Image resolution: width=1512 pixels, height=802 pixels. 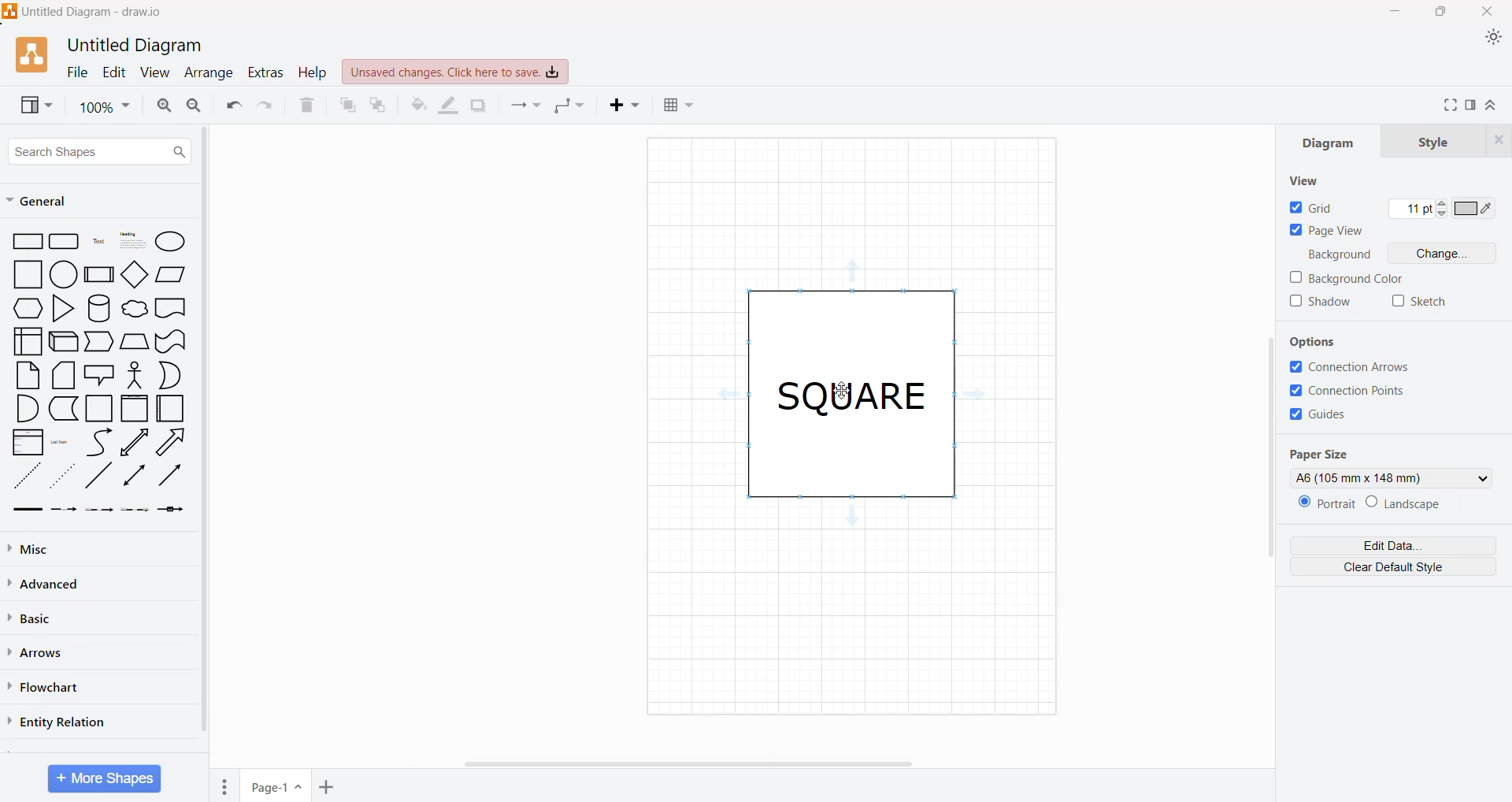 I want to click on  User Interface, so click(x=27, y=340).